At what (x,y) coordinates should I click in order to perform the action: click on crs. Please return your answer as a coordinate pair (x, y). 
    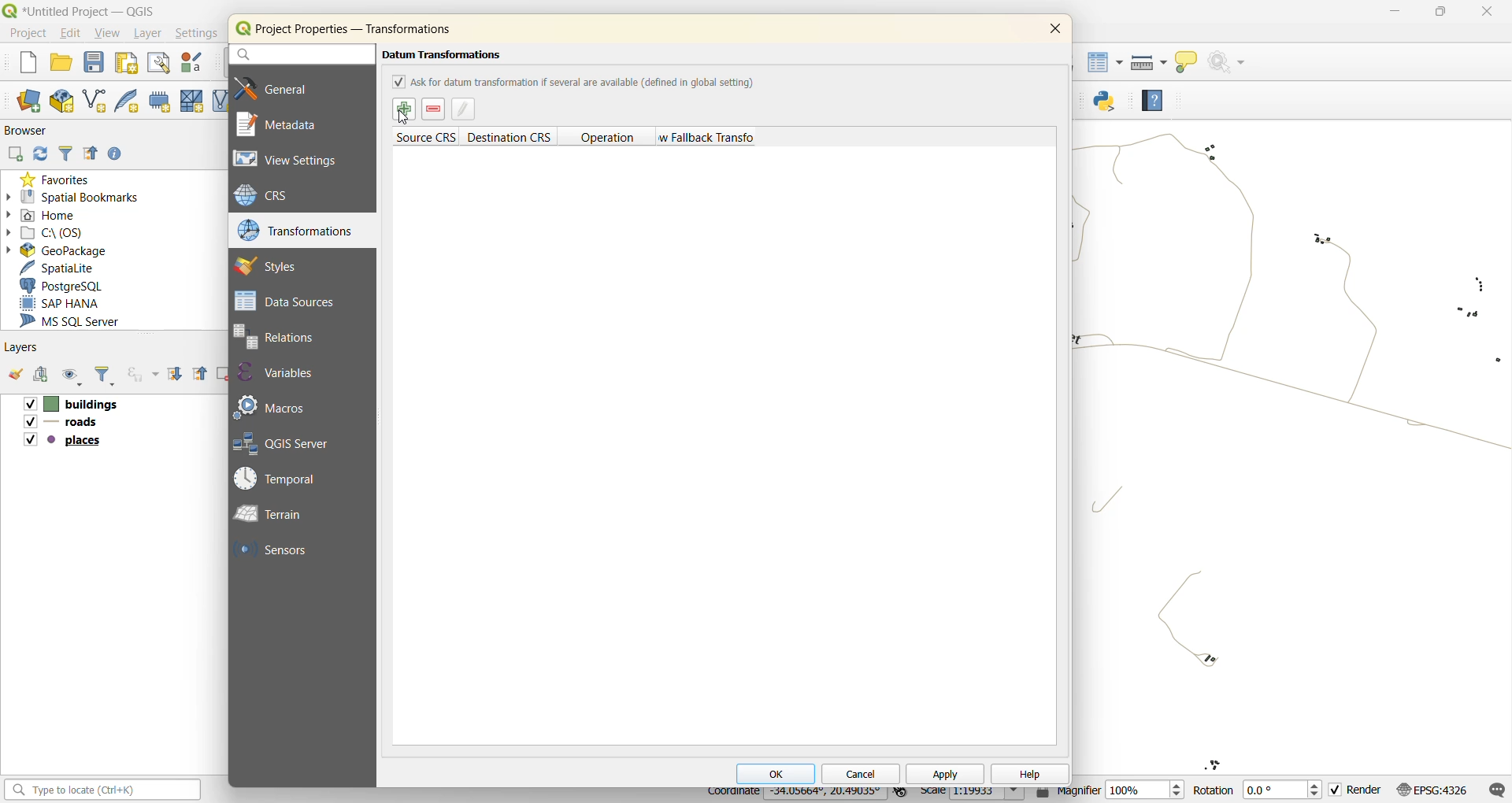
    Looking at the image, I should click on (276, 197).